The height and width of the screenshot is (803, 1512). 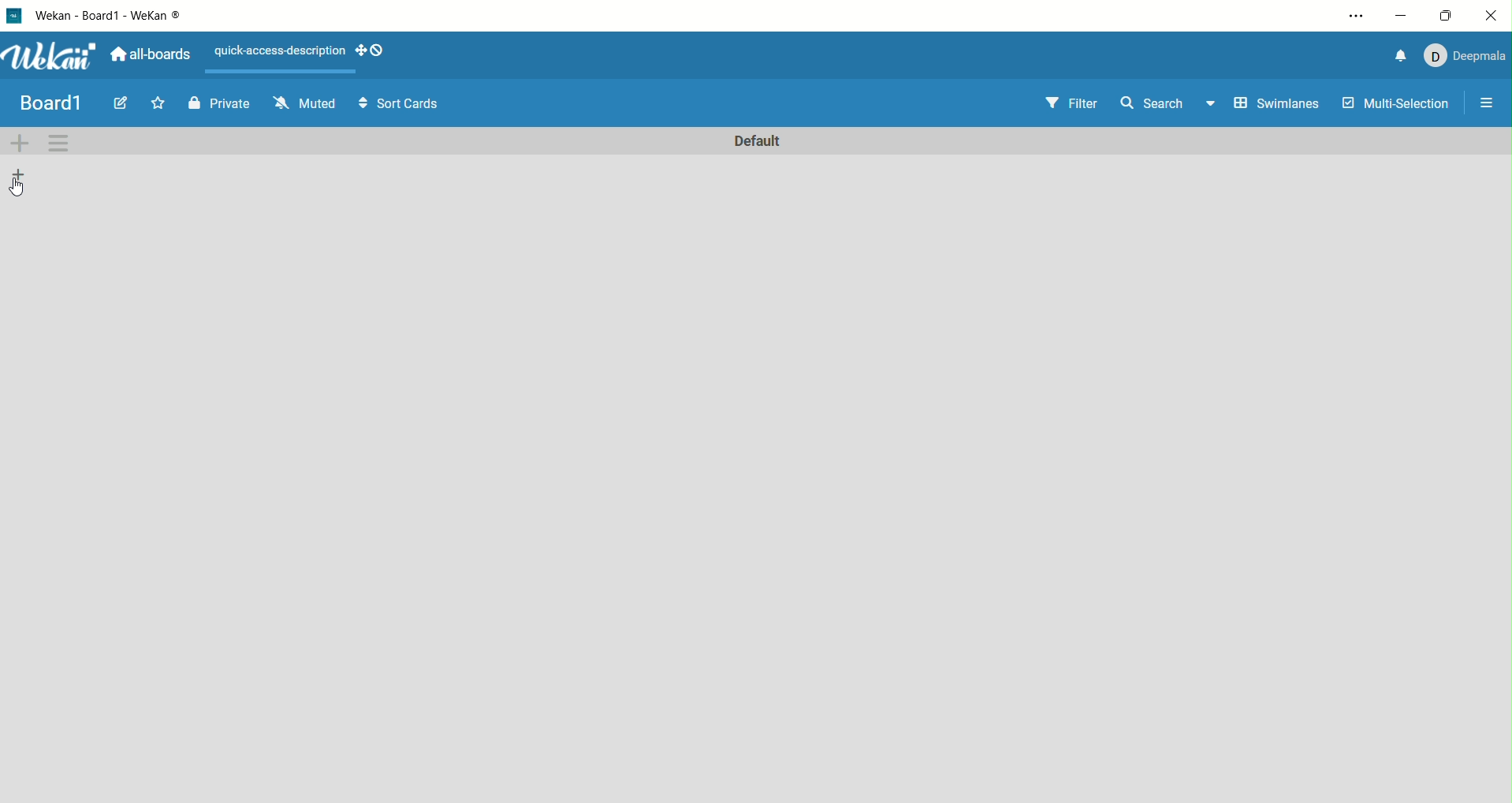 What do you see at coordinates (760, 142) in the screenshot?
I see `default` at bounding box center [760, 142].